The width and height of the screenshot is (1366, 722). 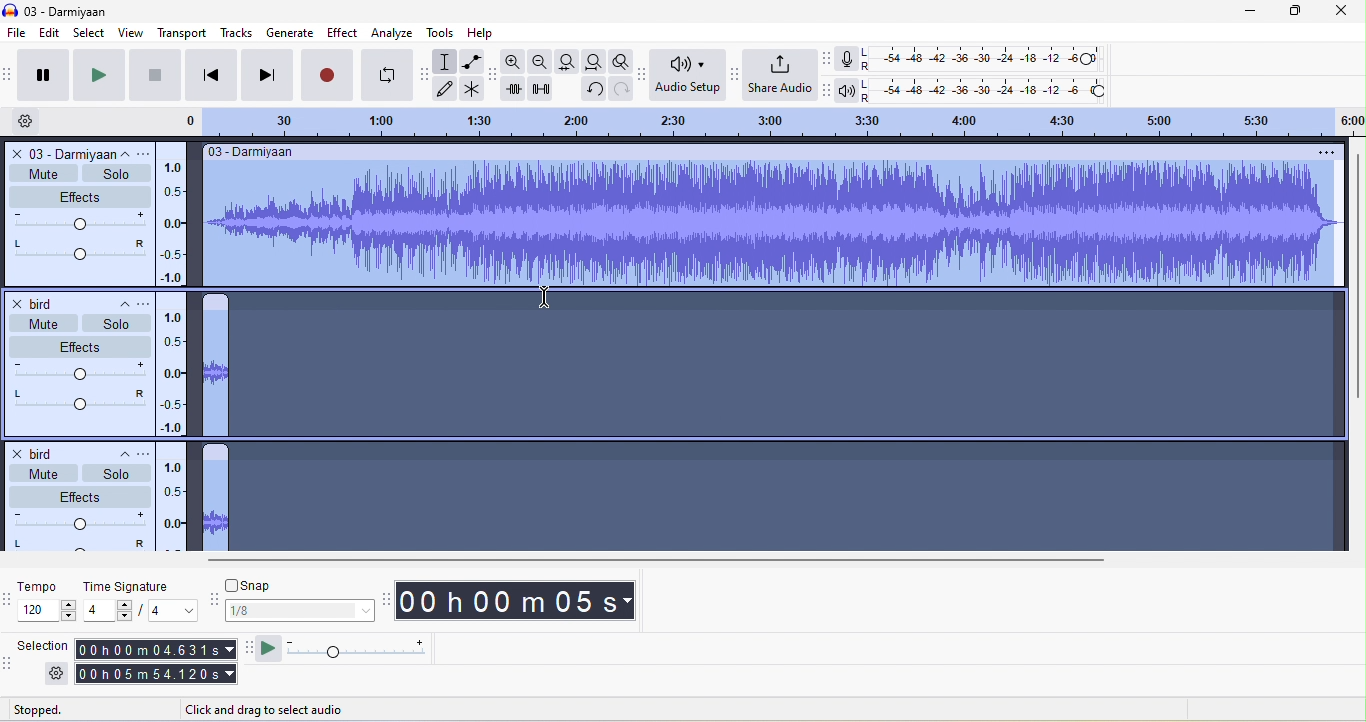 What do you see at coordinates (172, 506) in the screenshot?
I see `linear` at bounding box center [172, 506].